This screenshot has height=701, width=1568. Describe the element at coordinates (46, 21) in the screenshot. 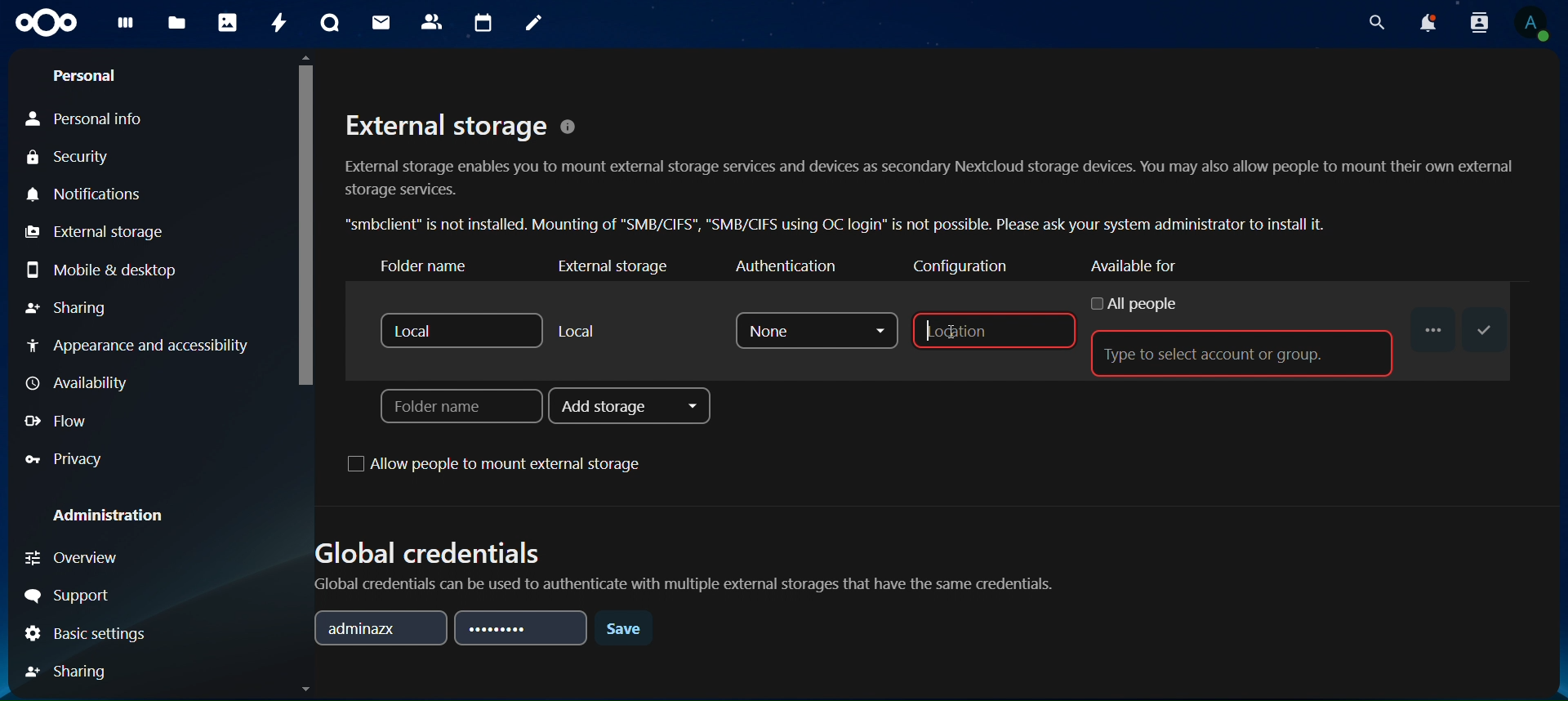

I see `icon` at that location.